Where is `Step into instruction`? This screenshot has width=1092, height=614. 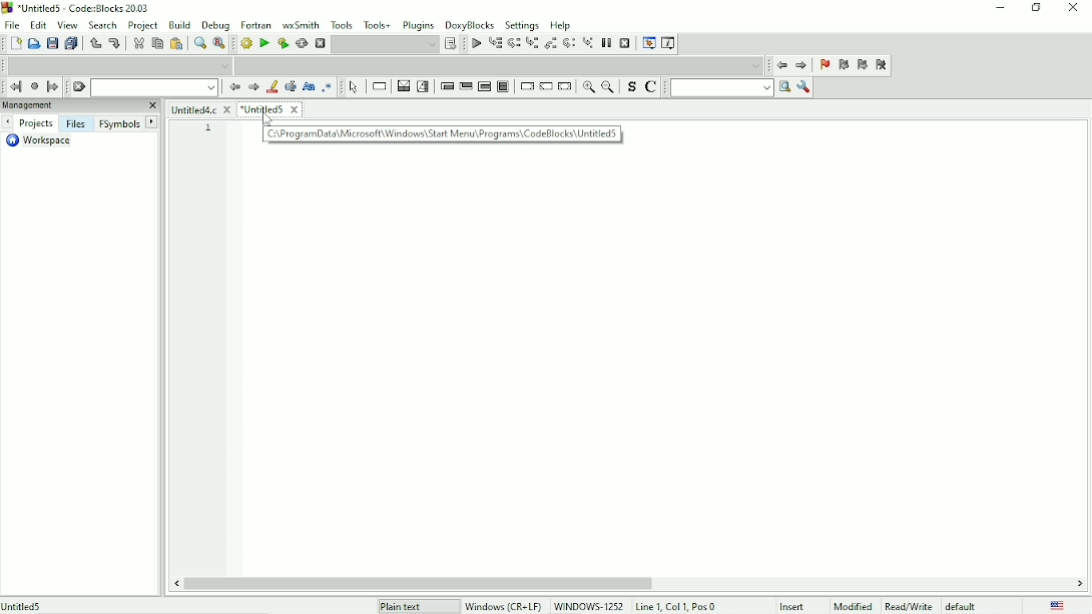
Step into instruction is located at coordinates (587, 44).